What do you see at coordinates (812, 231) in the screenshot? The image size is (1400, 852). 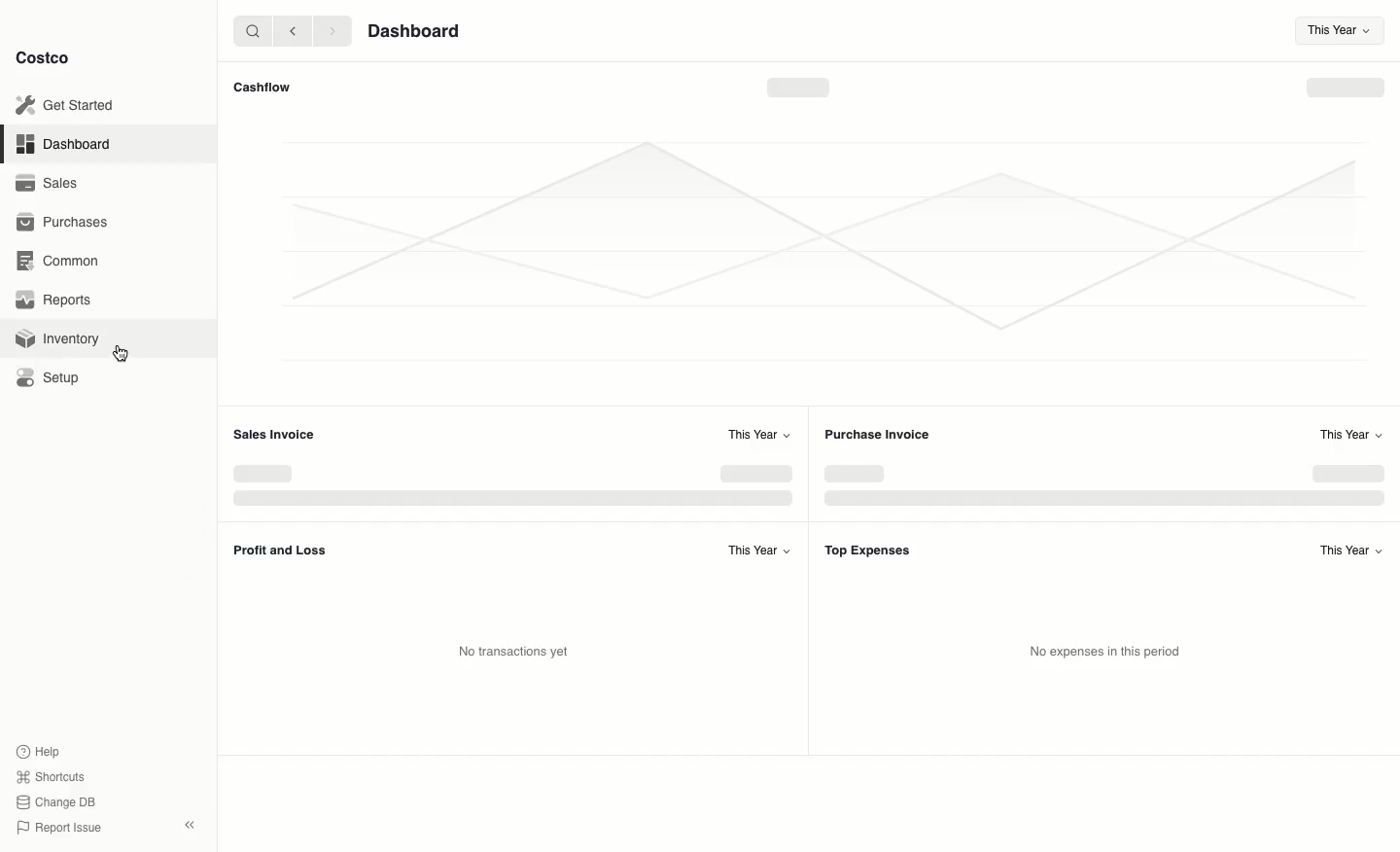 I see `Graph` at bounding box center [812, 231].